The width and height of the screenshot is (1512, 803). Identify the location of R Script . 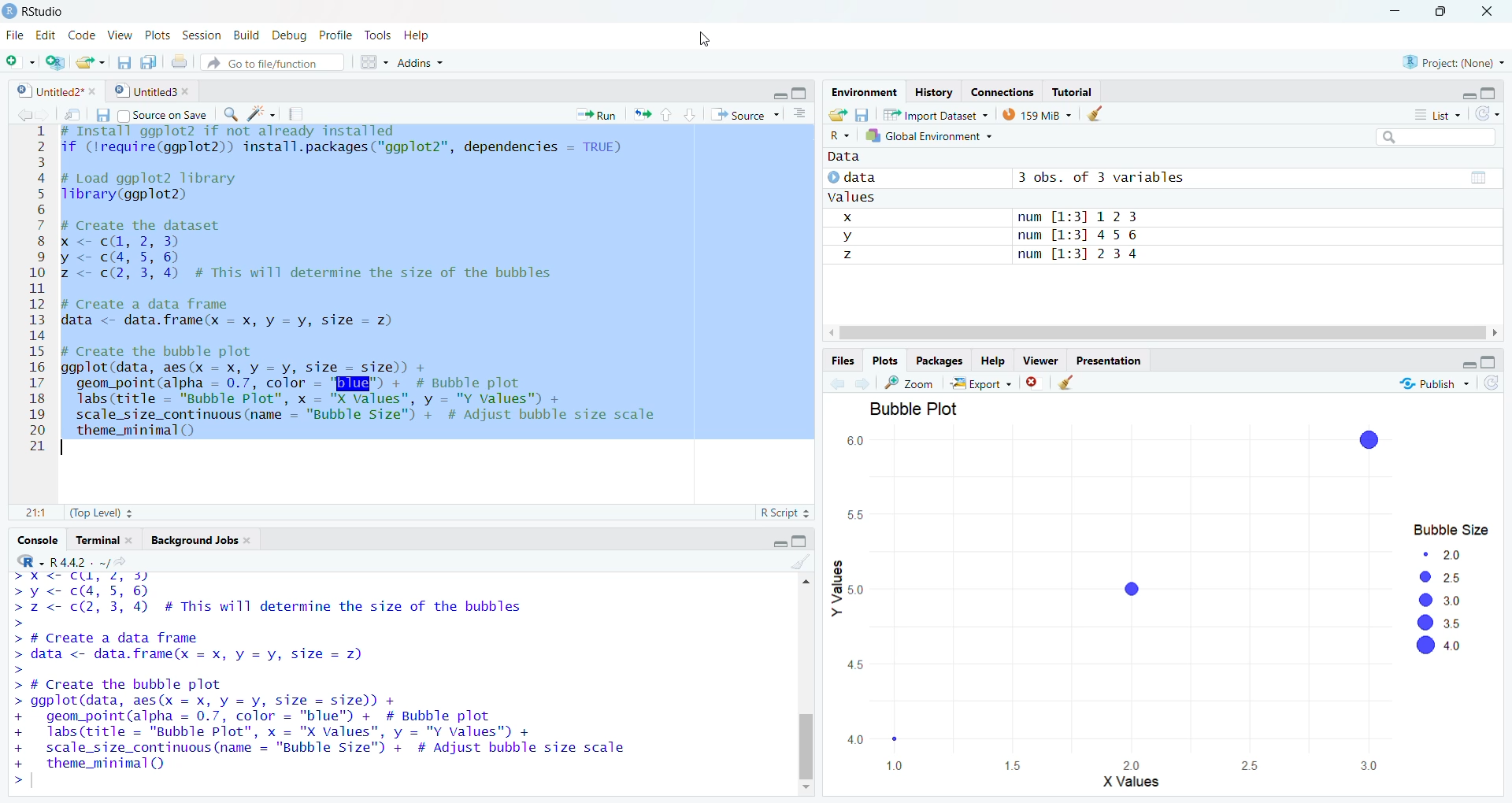
(780, 515).